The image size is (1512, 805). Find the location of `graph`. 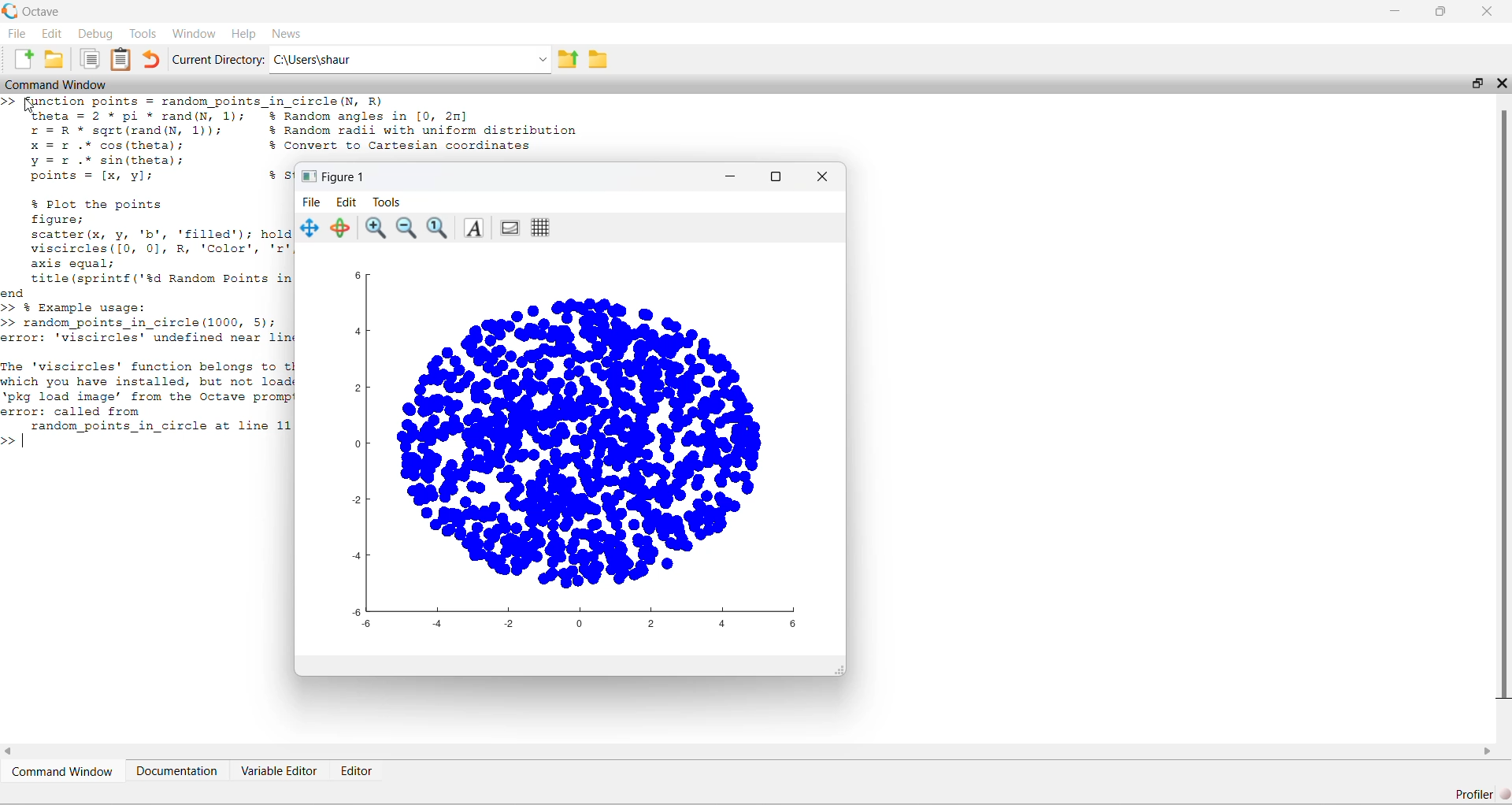

graph is located at coordinates (580, 448).